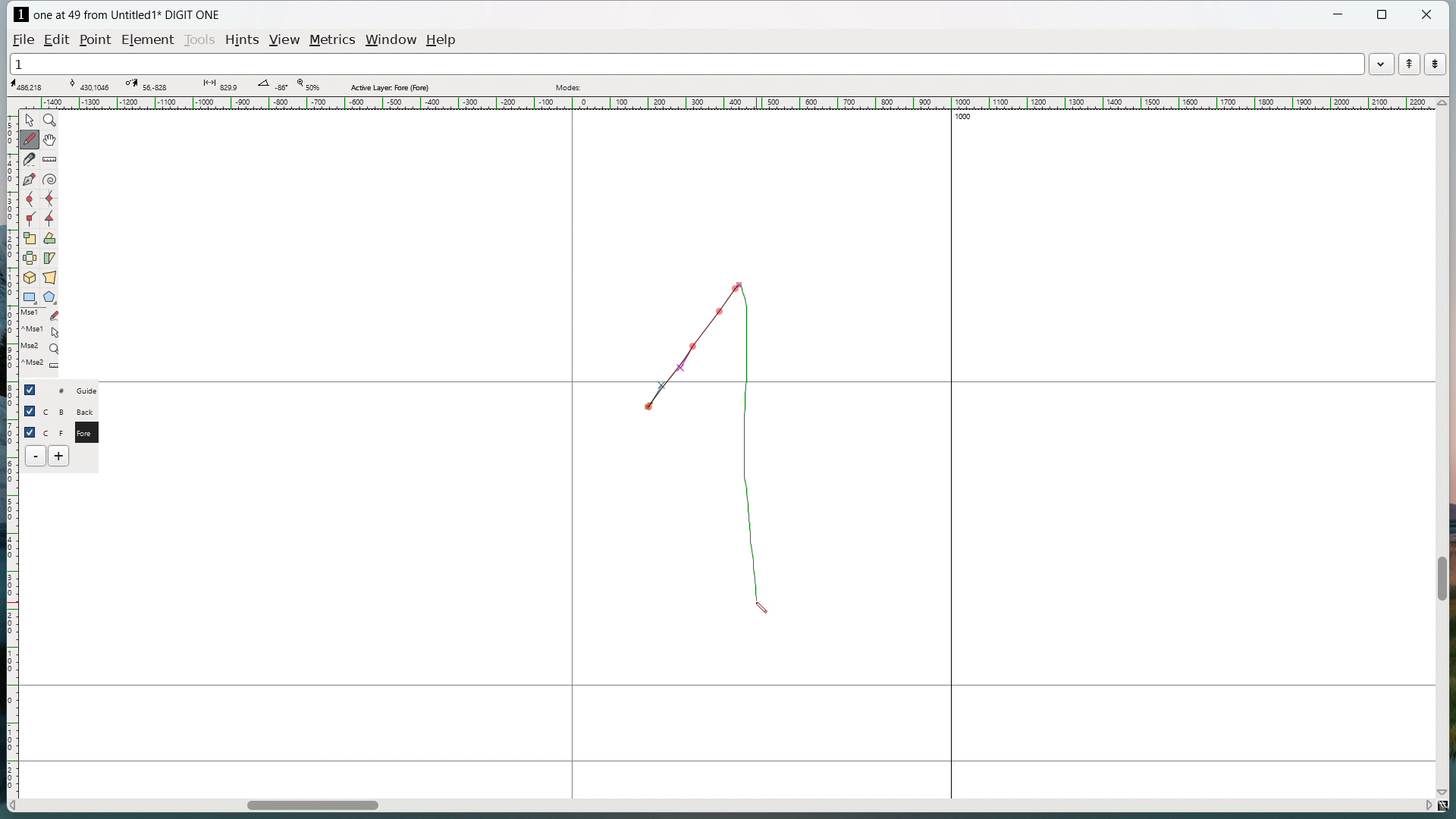 Image resolution: width=1456 pixels, height=819 pixels. I want to click on vertical ruler, so click(11, 446).